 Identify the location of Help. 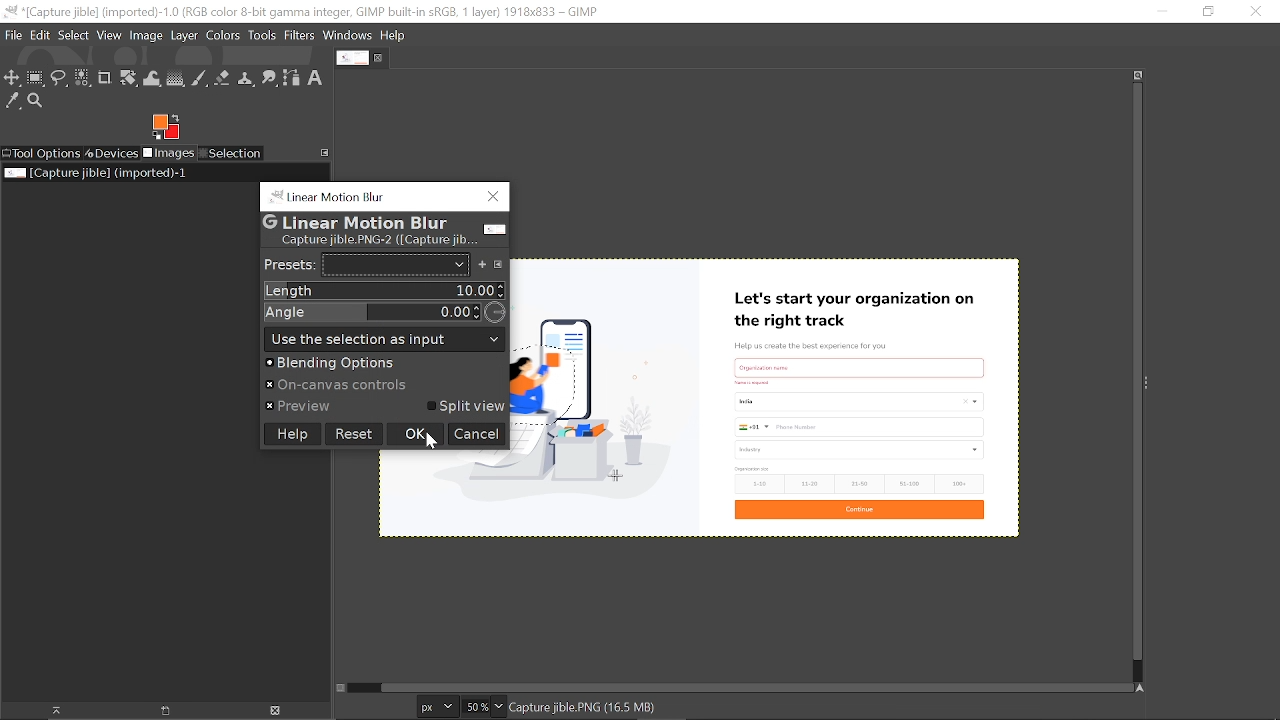
(290, 434).